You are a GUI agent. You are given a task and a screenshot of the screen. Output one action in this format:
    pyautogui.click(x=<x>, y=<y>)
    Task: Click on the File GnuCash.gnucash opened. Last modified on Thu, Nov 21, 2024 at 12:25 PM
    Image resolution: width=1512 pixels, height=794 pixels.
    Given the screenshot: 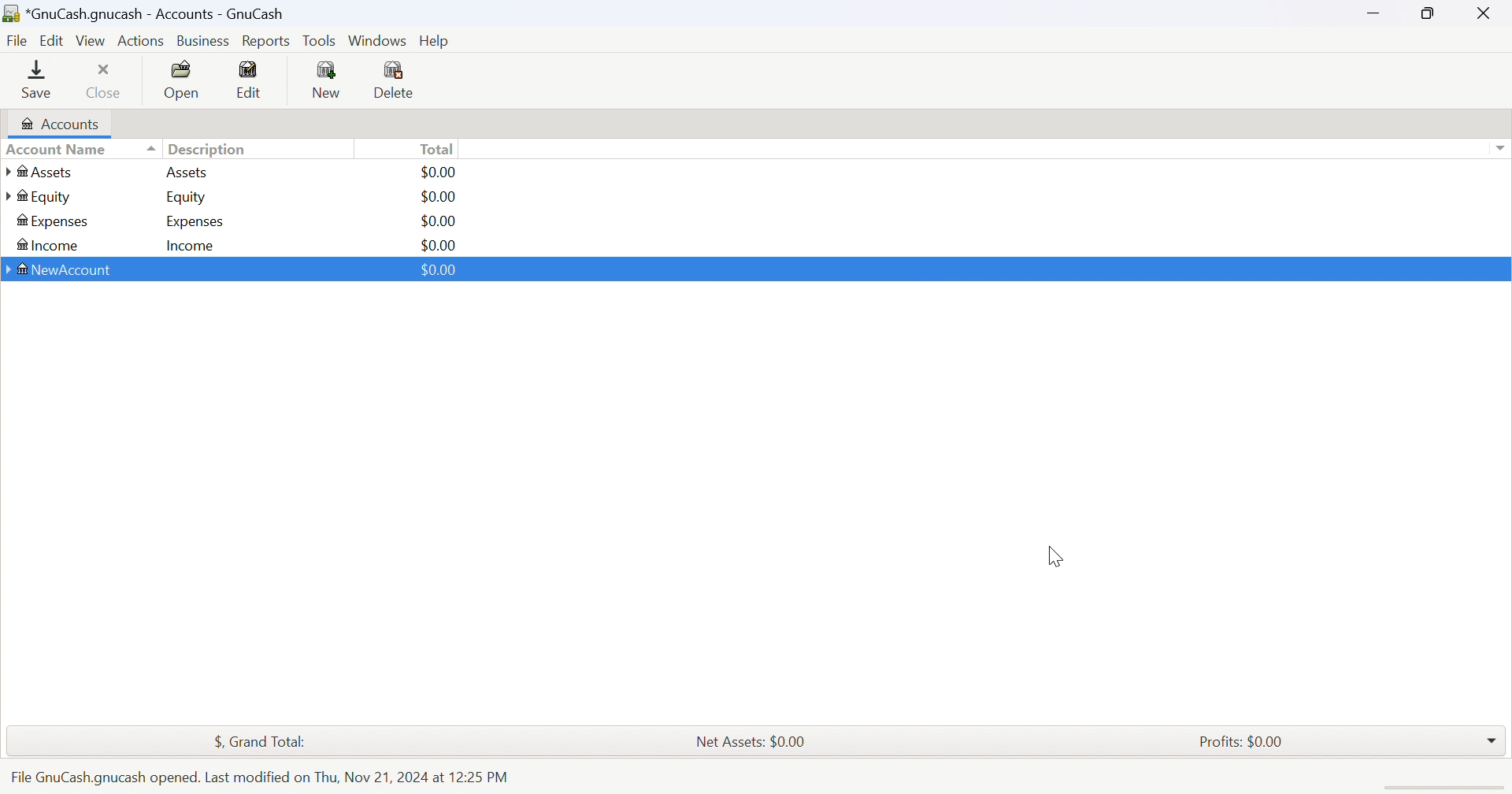 What is the action you would take?
    pyautogui.click(x=258, y=777)
    